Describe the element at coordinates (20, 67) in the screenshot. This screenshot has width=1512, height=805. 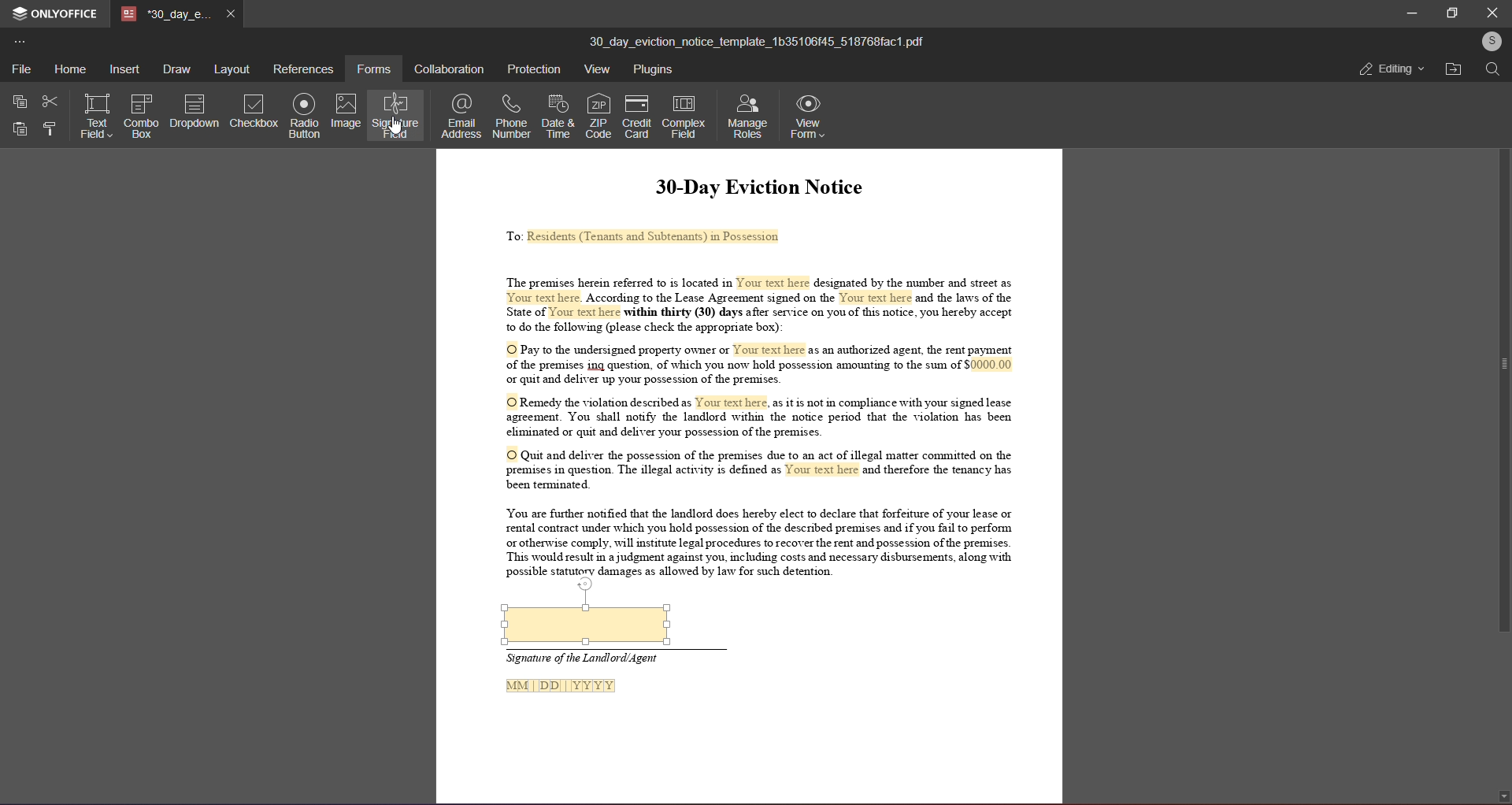
I see `file` at that location.